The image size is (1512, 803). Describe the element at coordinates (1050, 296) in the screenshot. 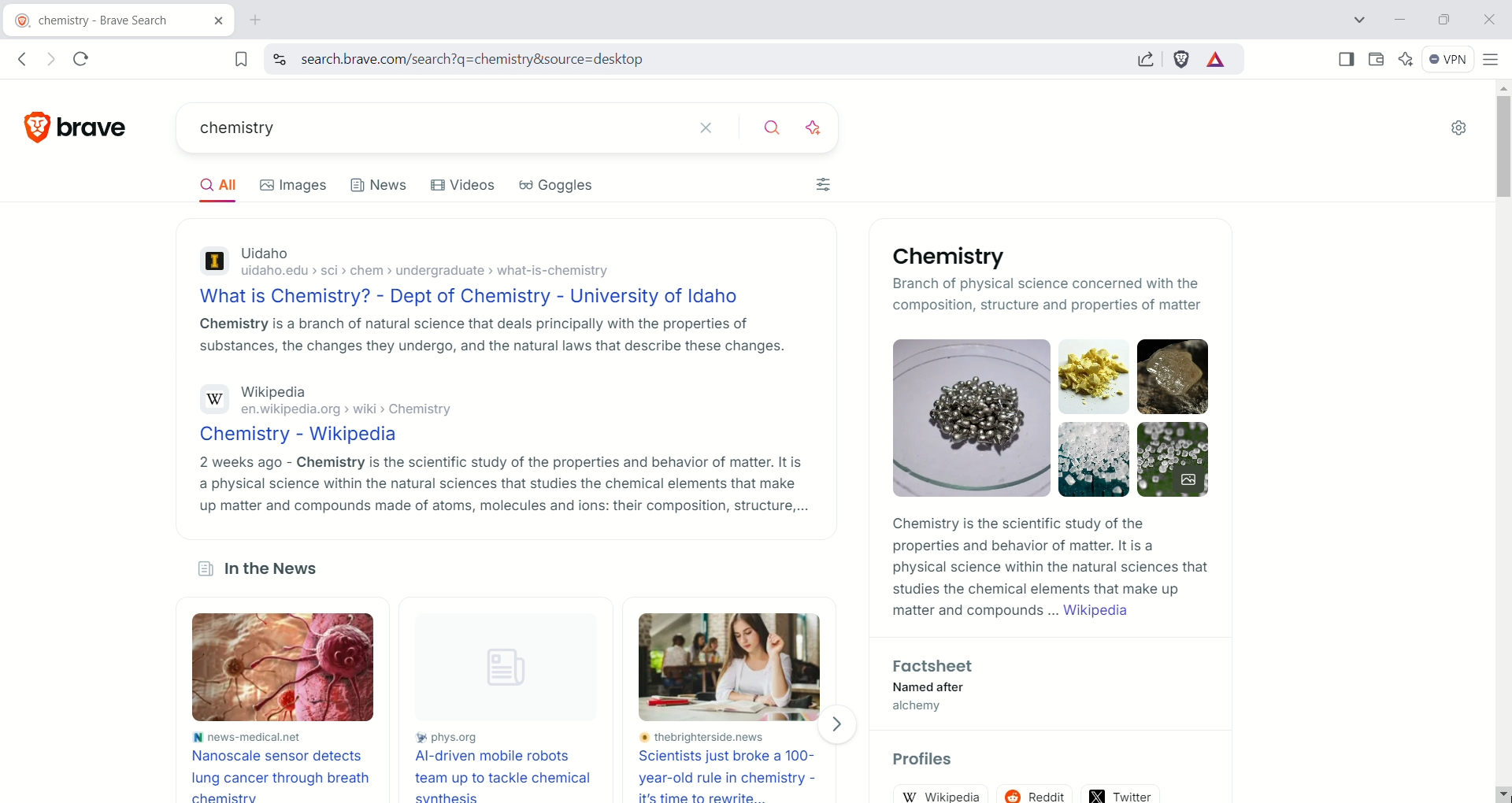

I see `branch of physical science concerned with the composition, structure and properties of matter` at that location.